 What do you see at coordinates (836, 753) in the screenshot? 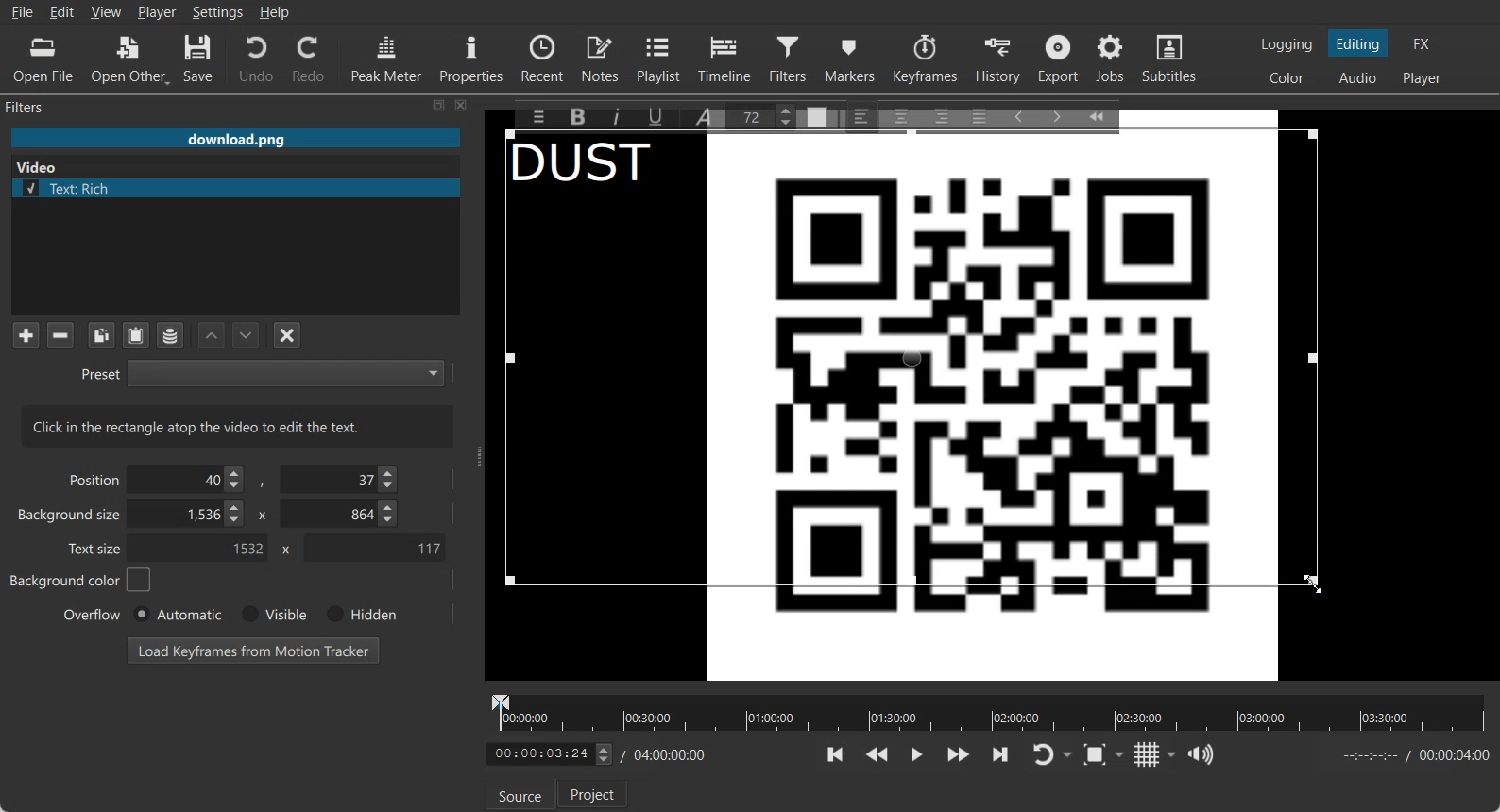
I see `Skip to the previous point` at bounding box center [836, 753].